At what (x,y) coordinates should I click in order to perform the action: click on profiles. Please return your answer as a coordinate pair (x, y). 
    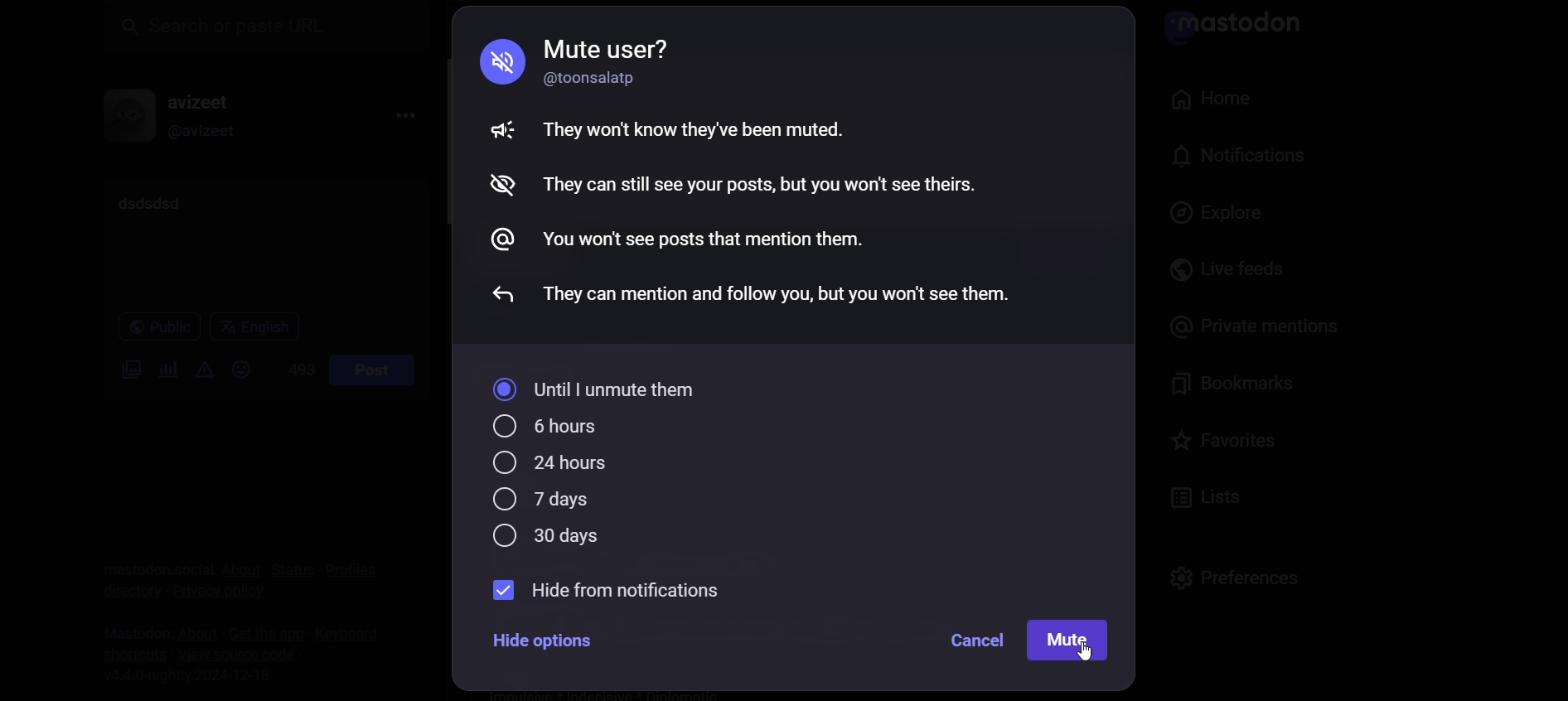
    Looking at the image, I should click on (346, 565).